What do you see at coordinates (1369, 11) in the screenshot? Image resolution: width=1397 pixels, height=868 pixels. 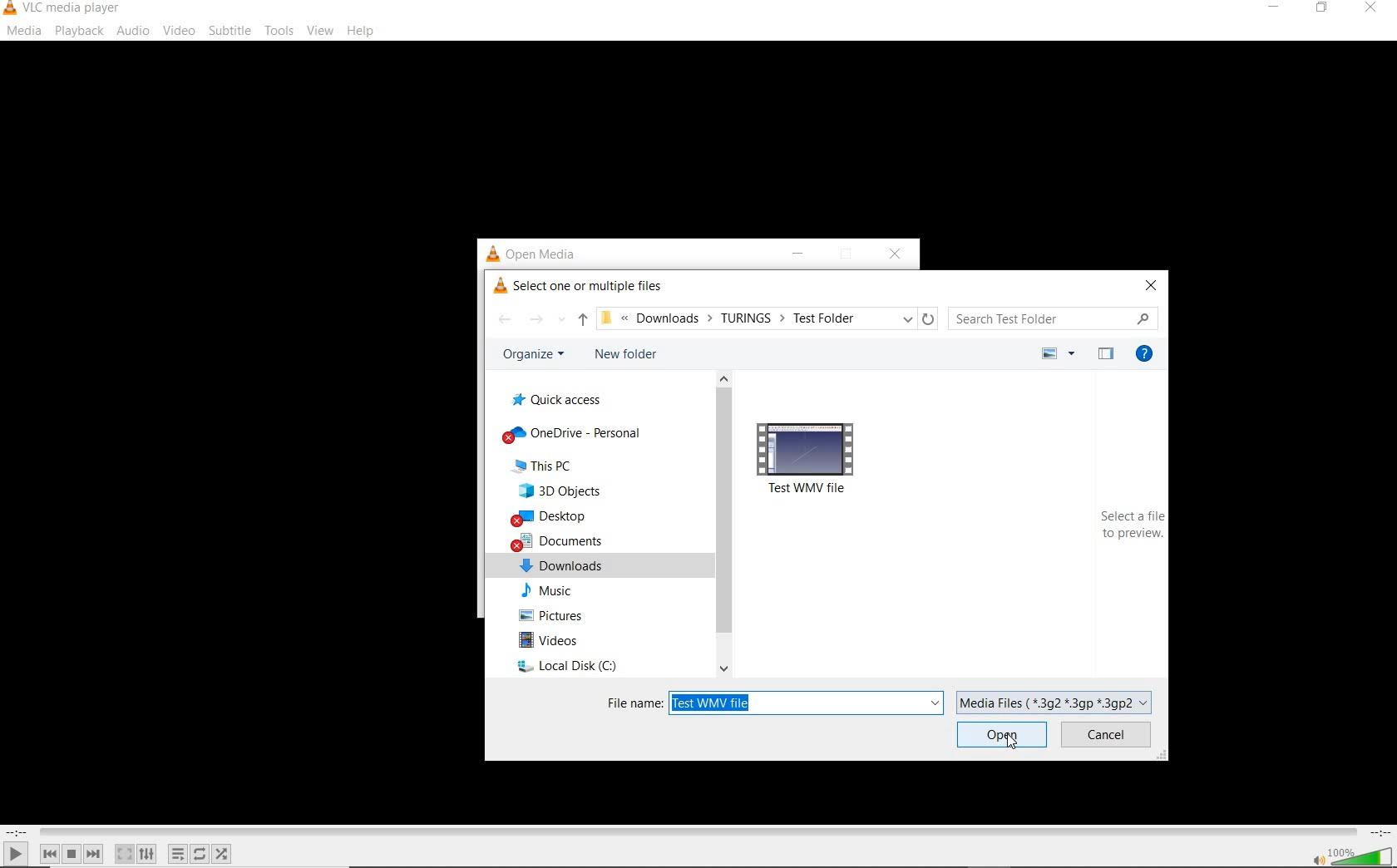 I see `close` at bounding box center [1369, 11].